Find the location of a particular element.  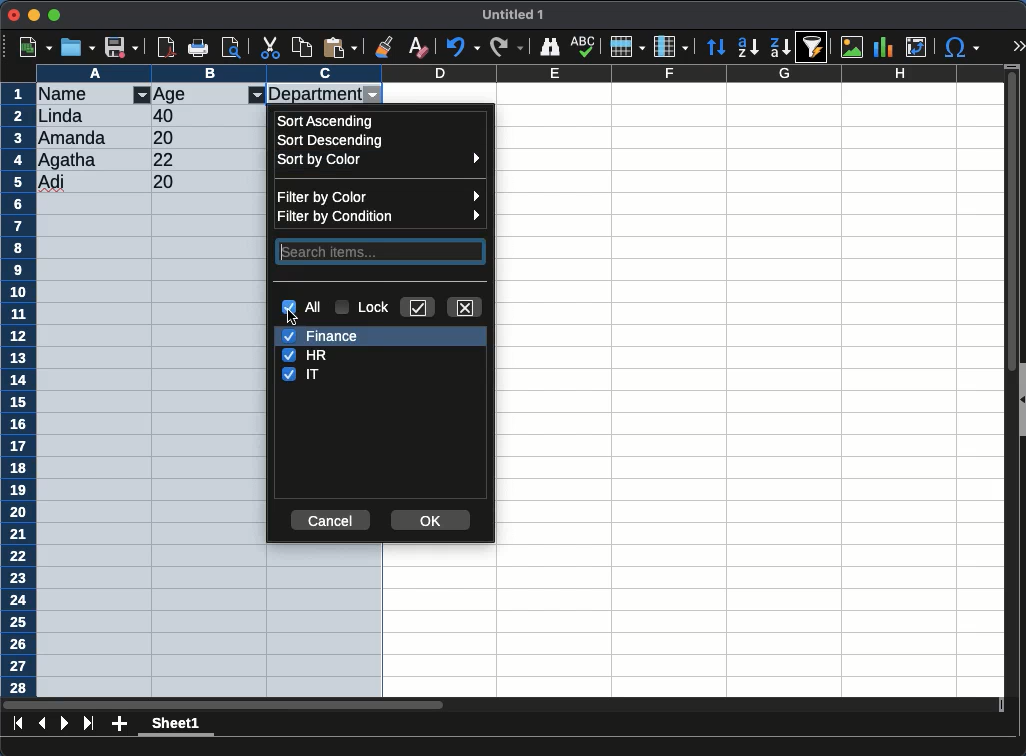

copy is located at coordinates (303, 47).